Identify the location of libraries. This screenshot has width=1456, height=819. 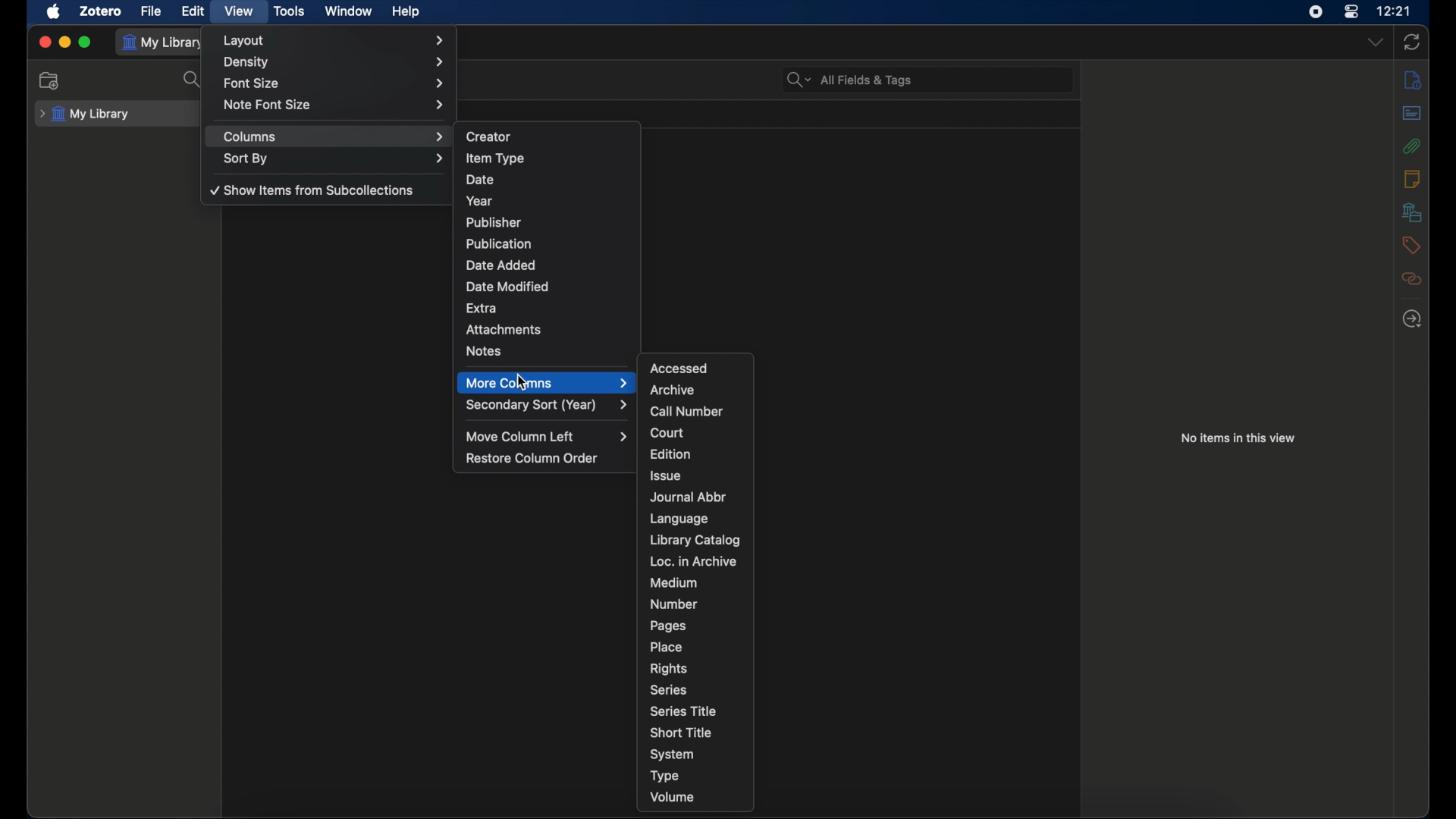
(1412, 212).